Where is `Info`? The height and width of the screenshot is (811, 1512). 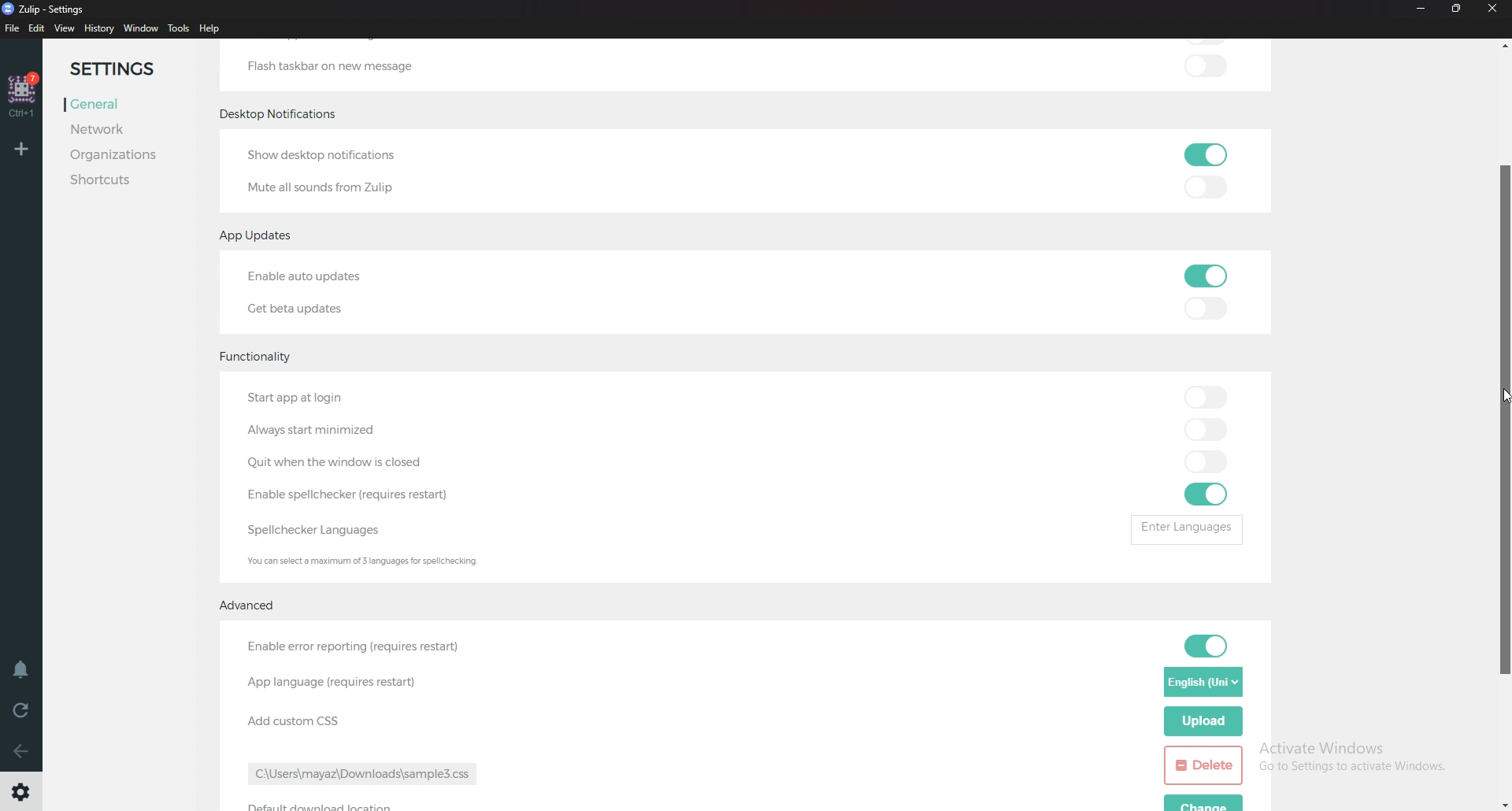 Info is located at coordinates (371, 561).